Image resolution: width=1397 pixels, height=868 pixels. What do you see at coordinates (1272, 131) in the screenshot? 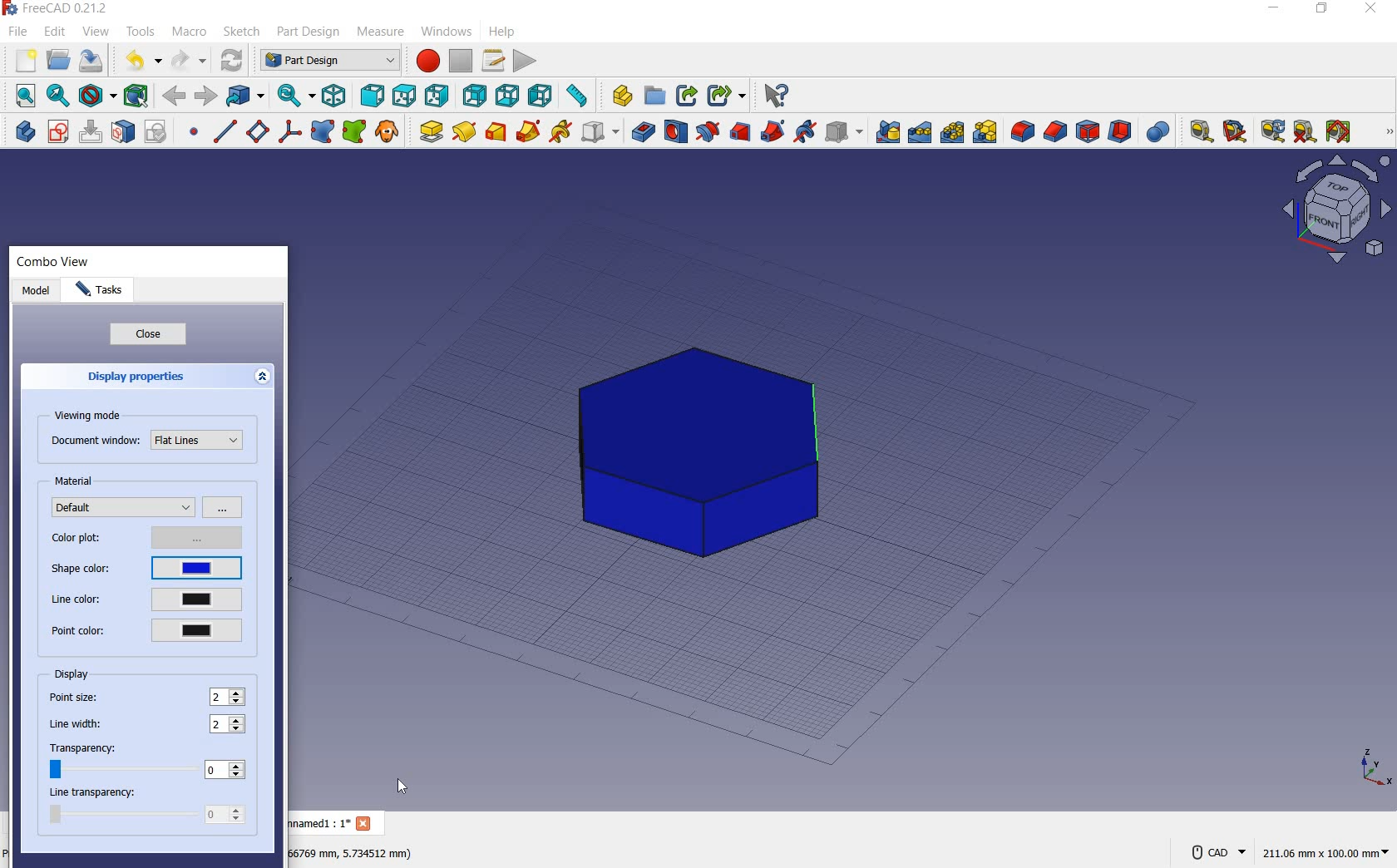
I see `refresh` at bounding box center [1272, 131].